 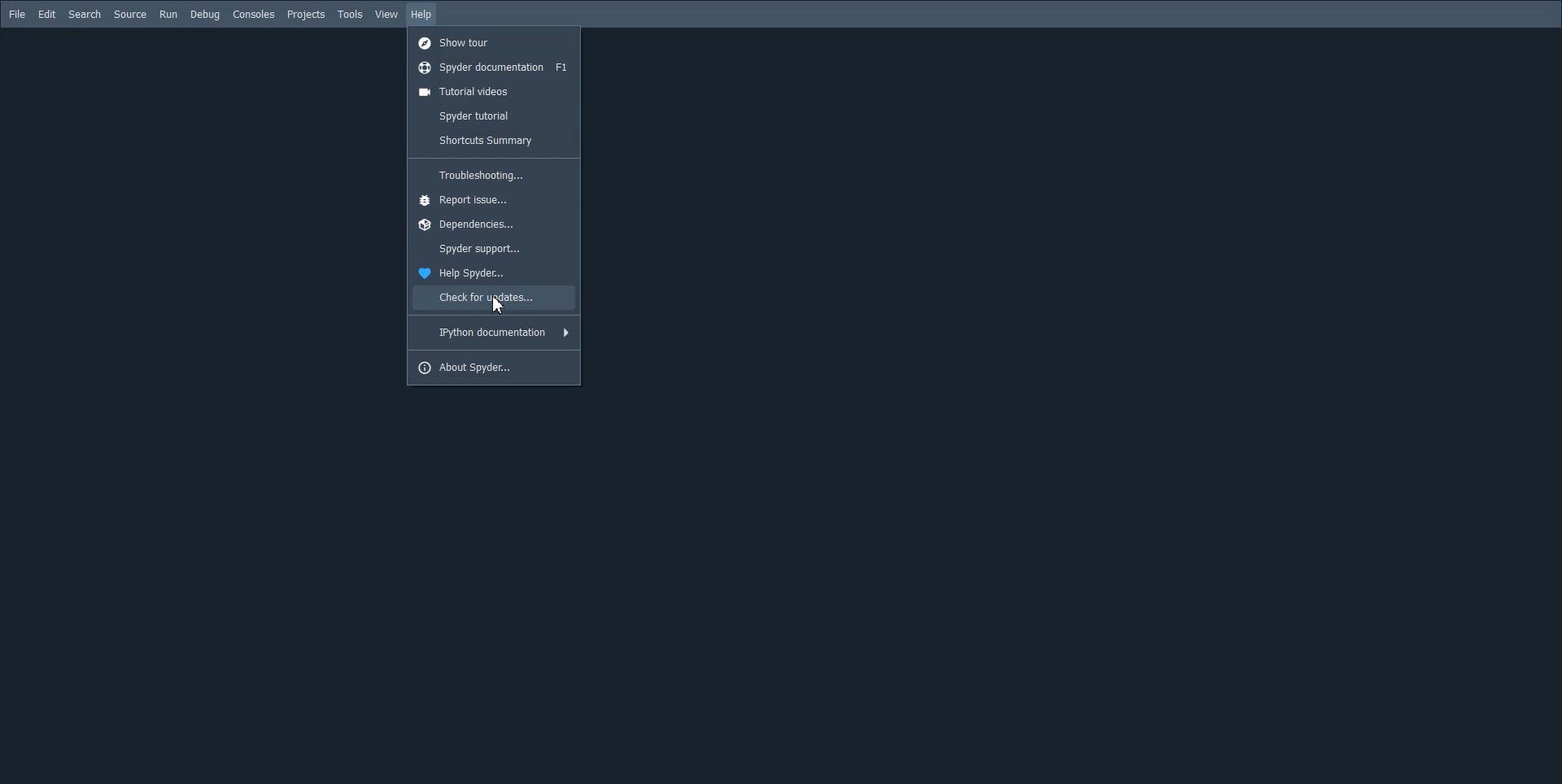 I want to click on Spyder tutorial, so click(x=493, y=117).